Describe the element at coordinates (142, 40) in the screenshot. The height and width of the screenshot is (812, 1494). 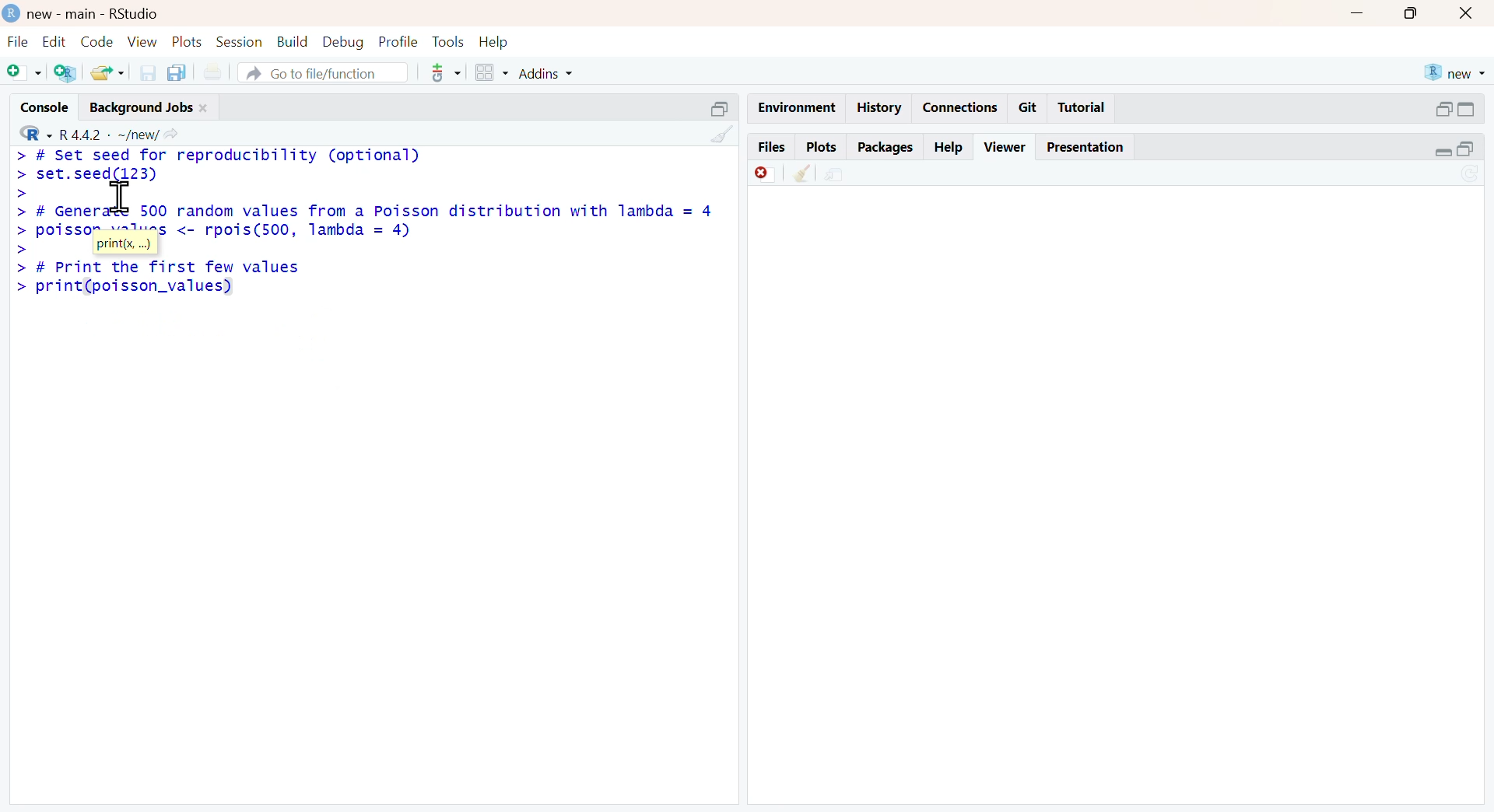
I see `view` at that location.